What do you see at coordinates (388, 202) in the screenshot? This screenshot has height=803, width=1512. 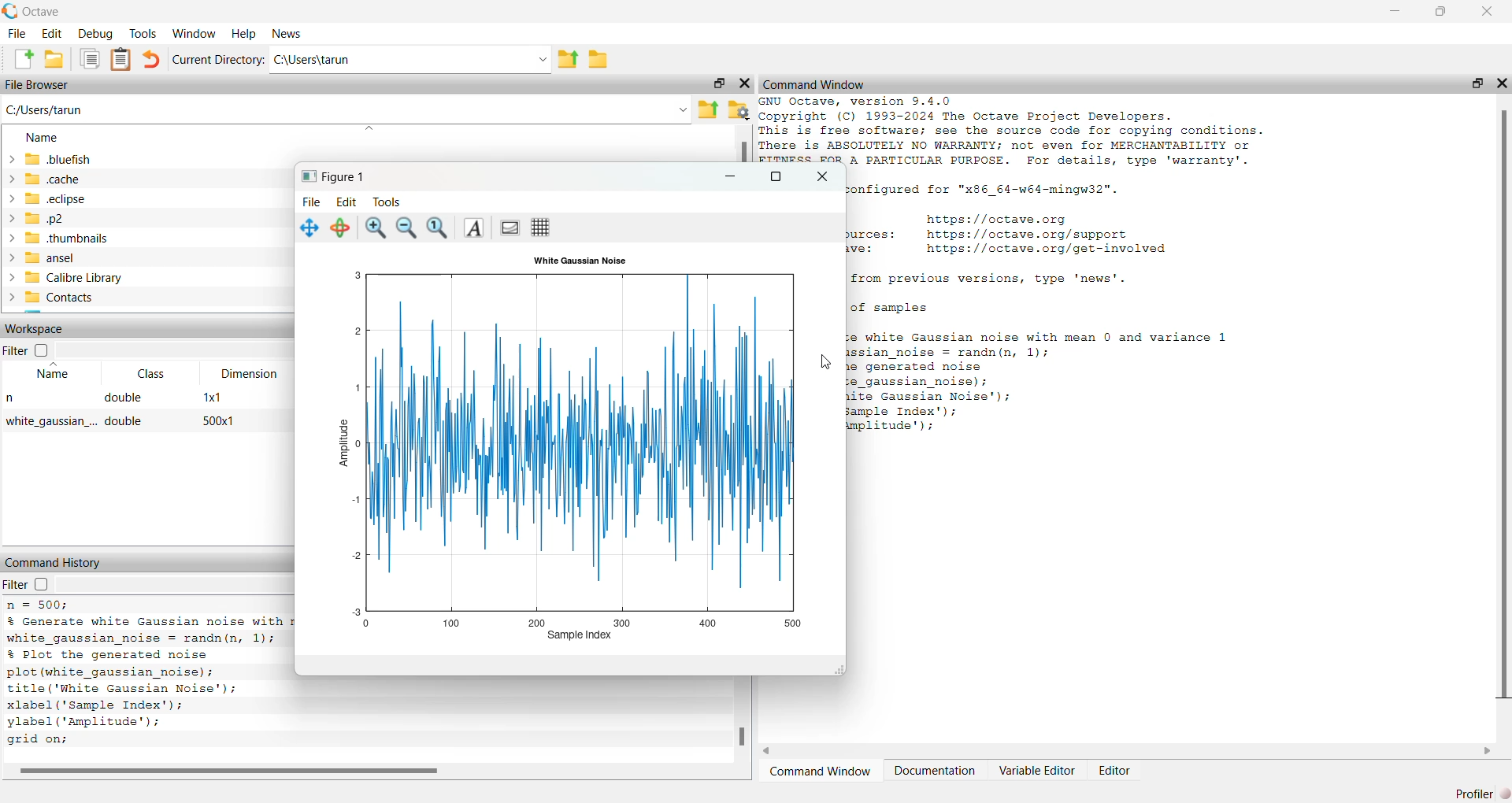 I see ` Tools` at bounding box center [388, 202].